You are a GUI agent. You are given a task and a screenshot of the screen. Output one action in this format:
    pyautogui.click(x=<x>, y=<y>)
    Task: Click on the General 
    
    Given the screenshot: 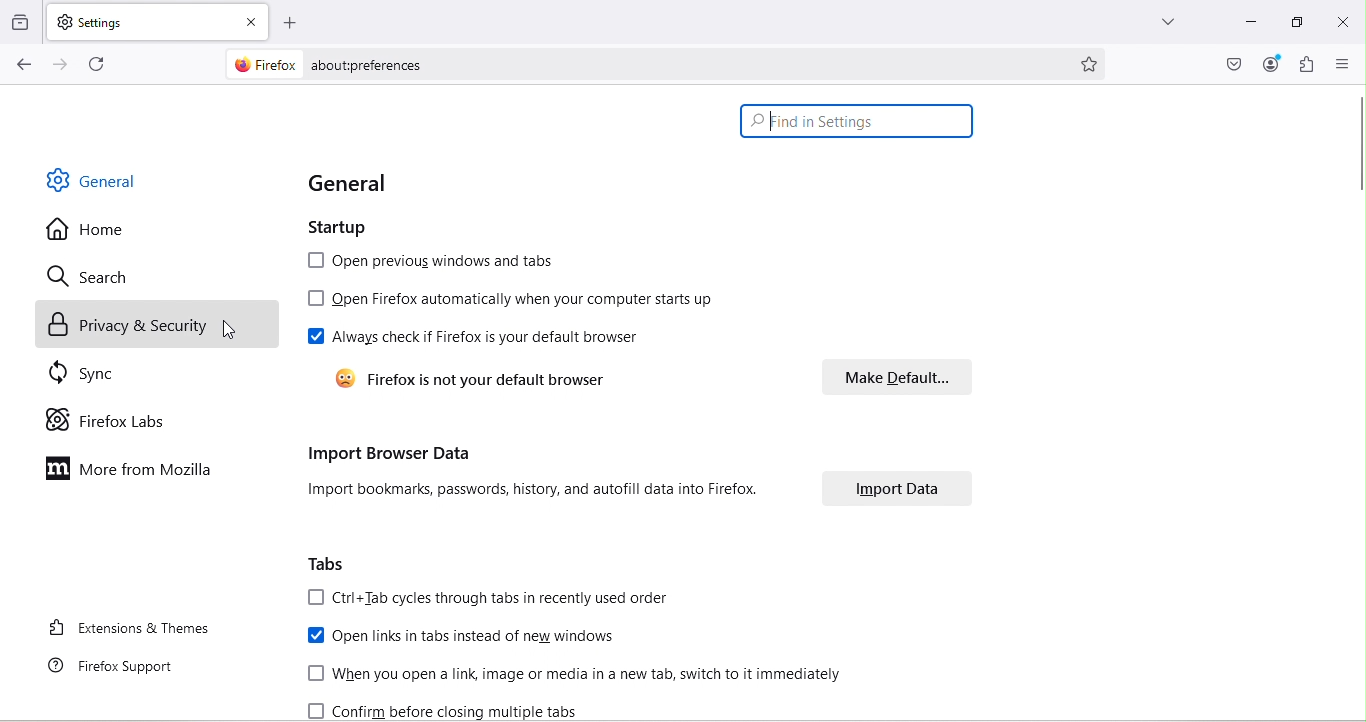 What is the action you would take?
    pyautogui.click(x=401, y=187)
    